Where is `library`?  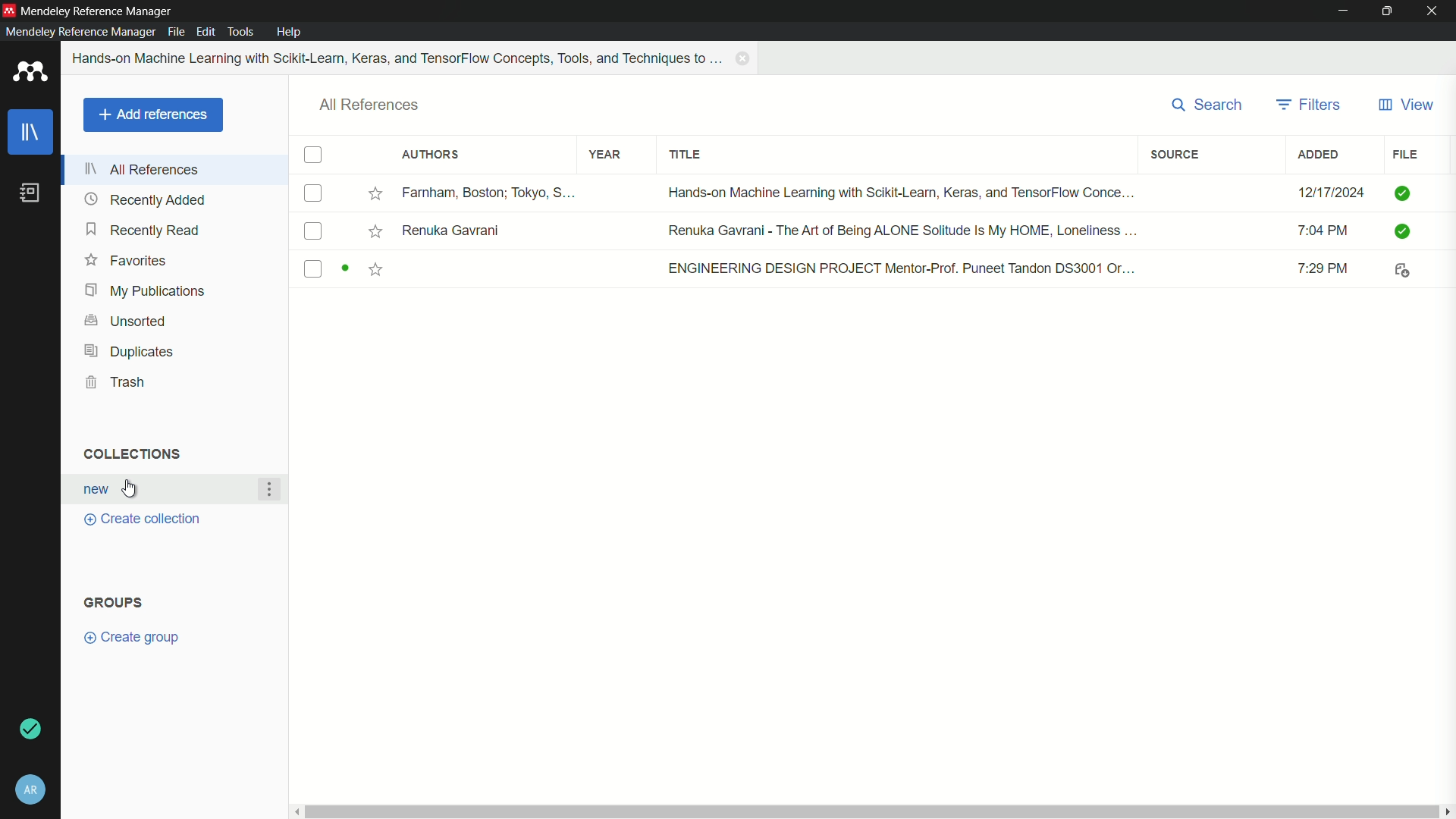 library is located at coordinates (31, 134).